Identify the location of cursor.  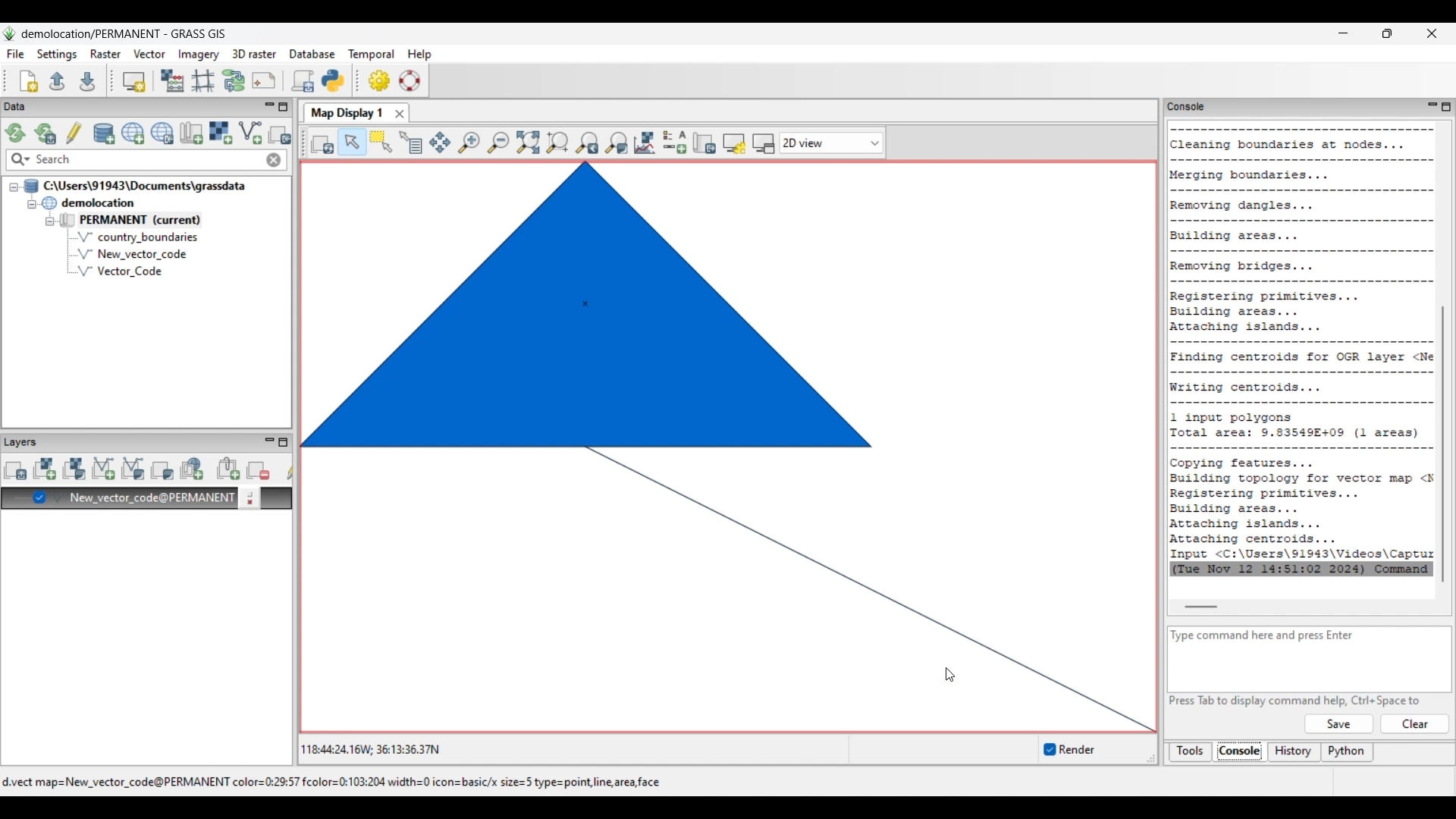
(949, 674).